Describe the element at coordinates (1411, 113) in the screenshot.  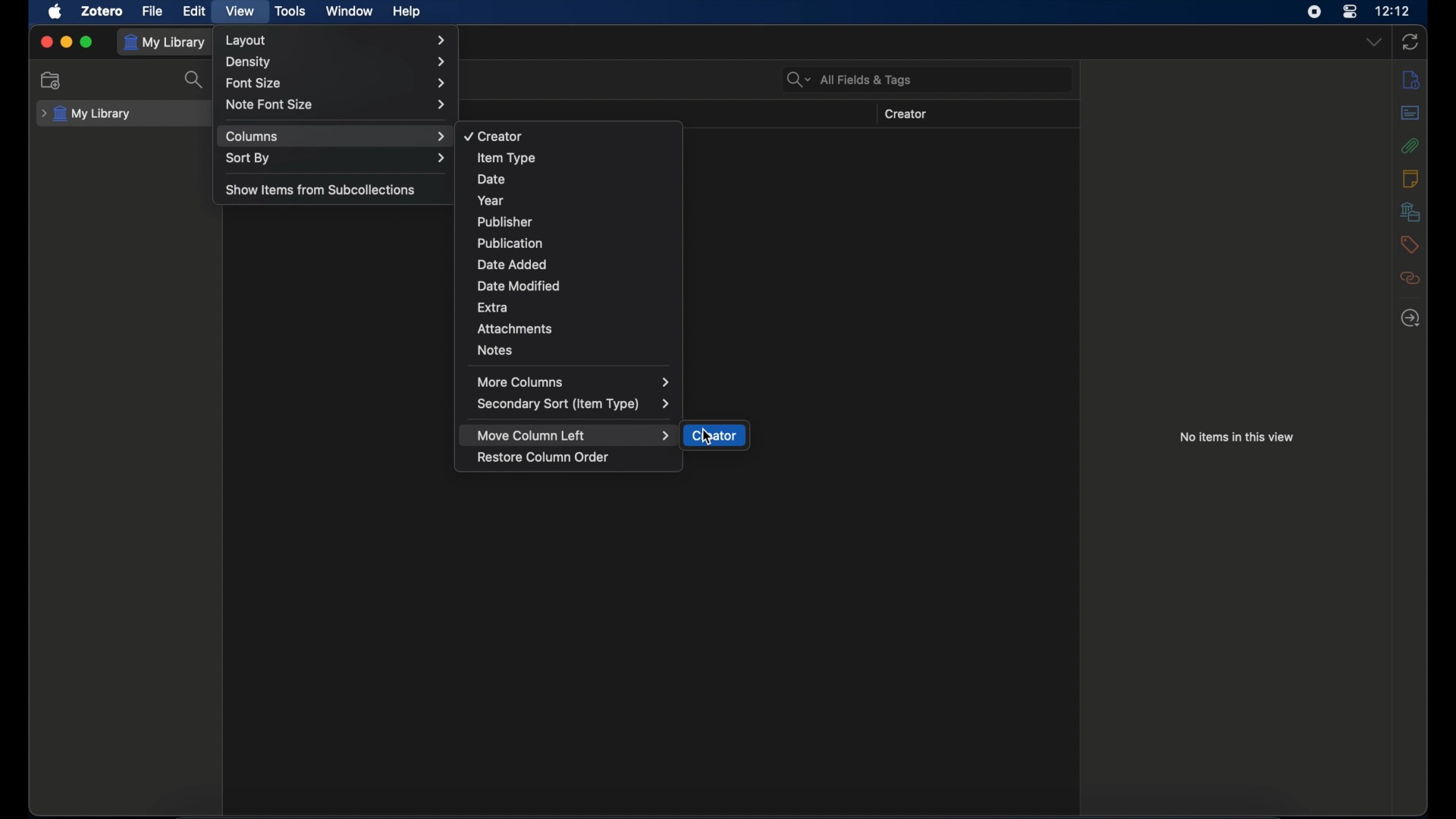
I see `abstract` at that location.